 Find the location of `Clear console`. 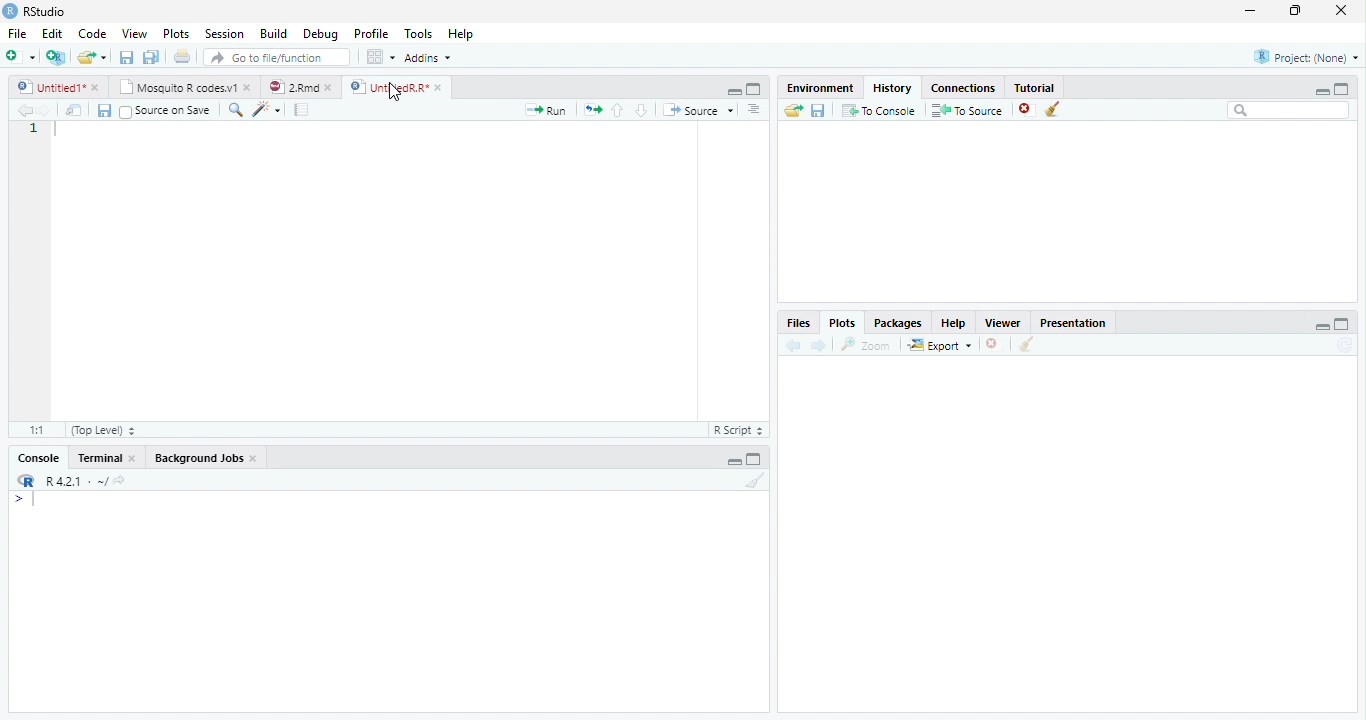

Clear console is located at coordinates (756, 480).